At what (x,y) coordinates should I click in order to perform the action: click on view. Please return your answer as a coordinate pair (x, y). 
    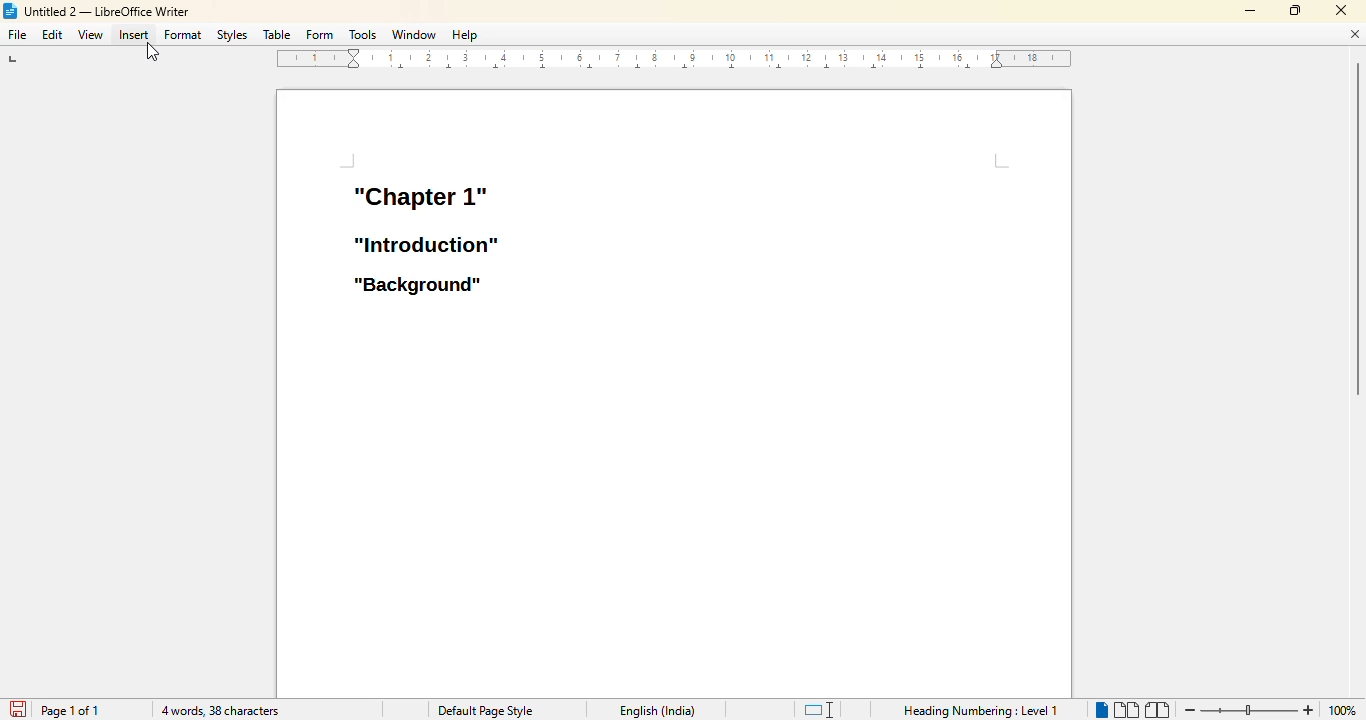
    Looking at the image, I should click on (90, 35).